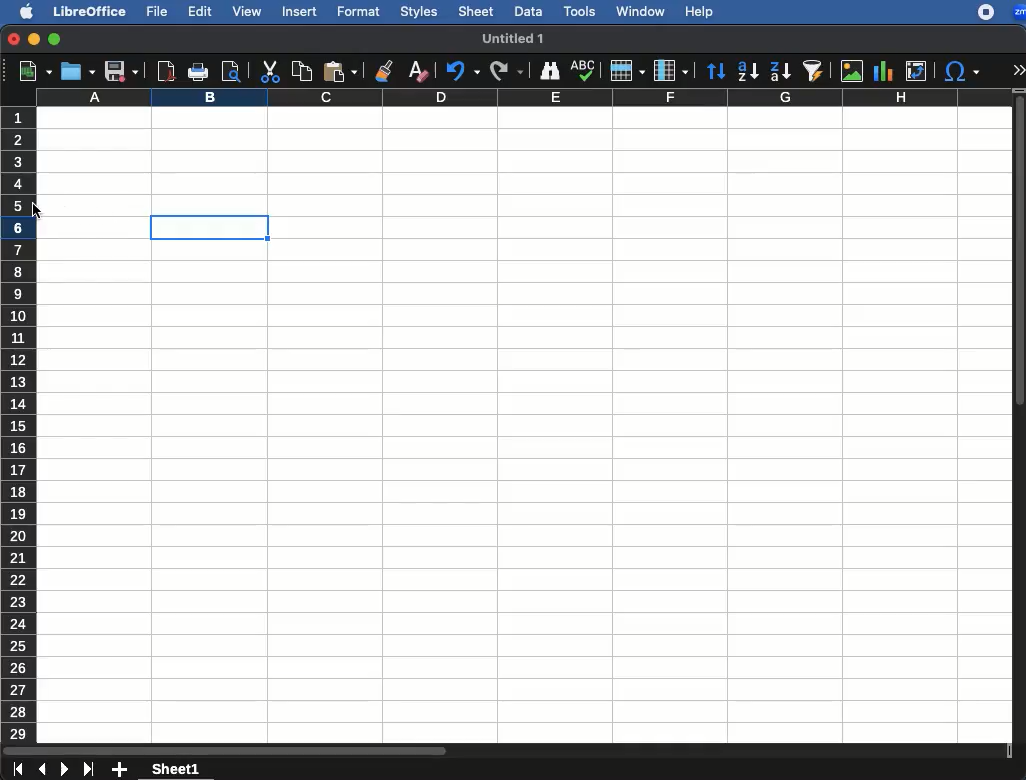 The image size is (1026, 780). Describe the element at coordinates (980, 13) in the screenshot. I see `recording` at that location.